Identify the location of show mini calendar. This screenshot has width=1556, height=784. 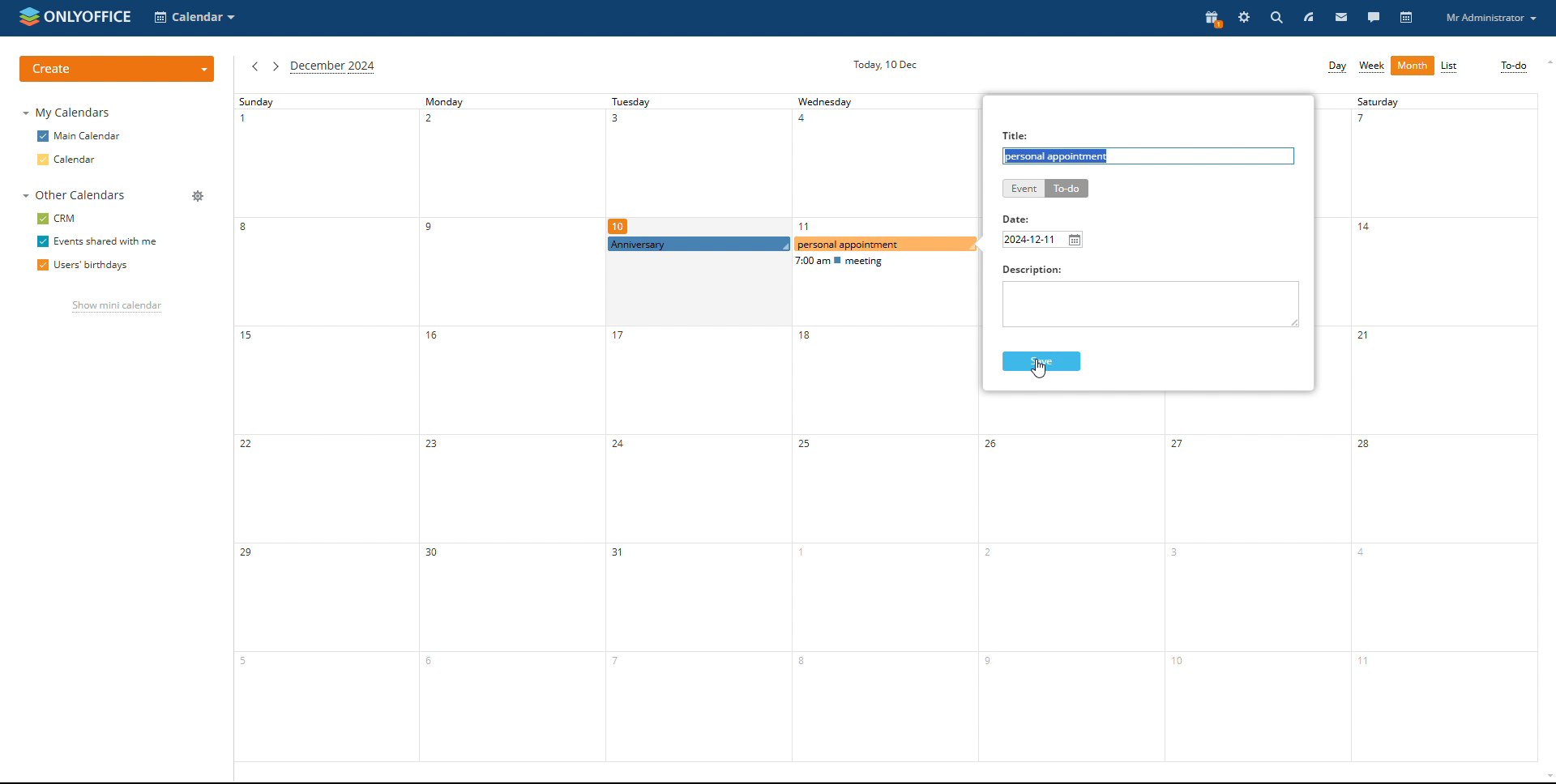
(116, 308).